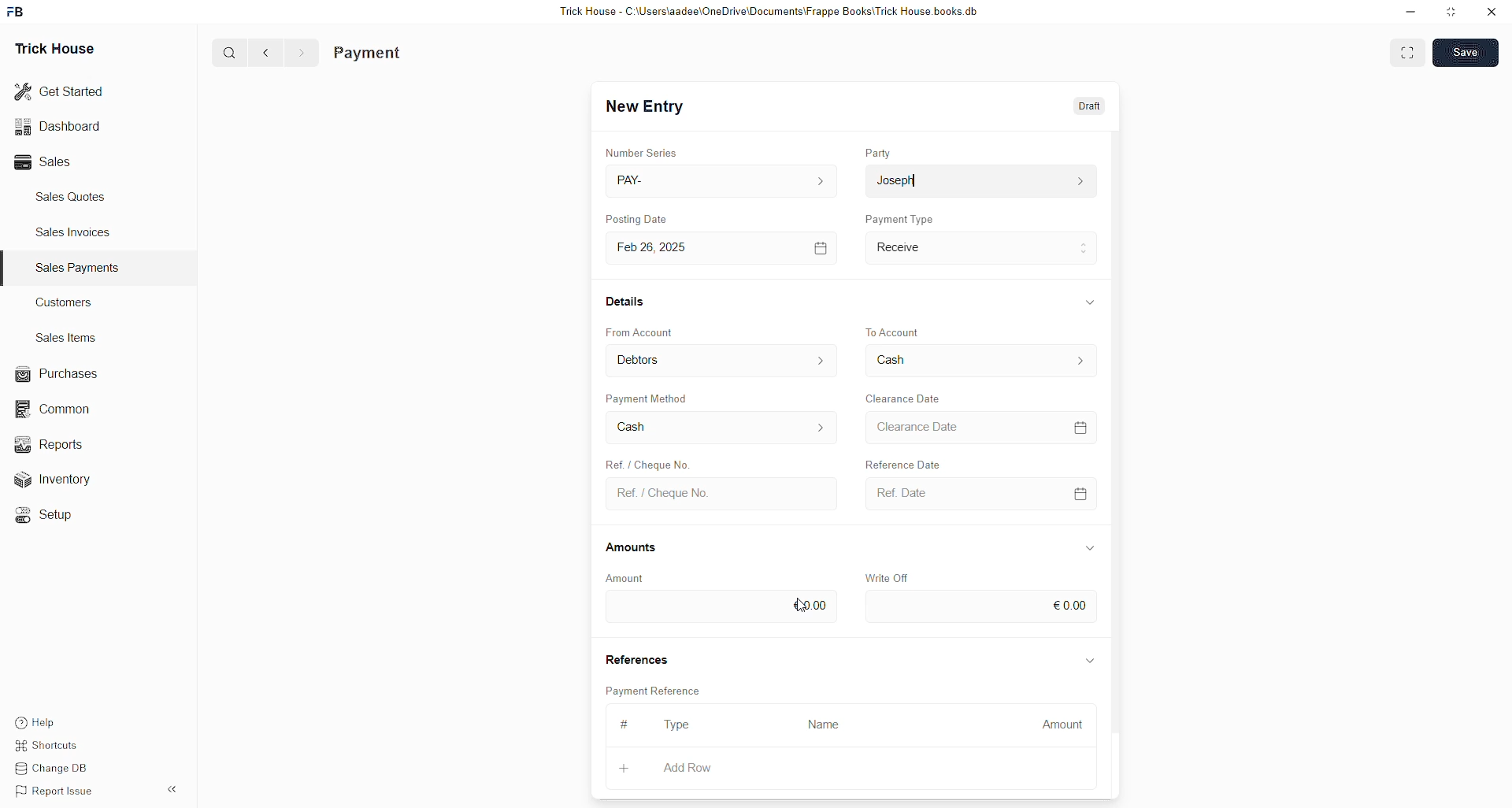  What do you see at coordinates (60, 410) in the screenshot?
I see `Common` at bounding box center [60, 410].